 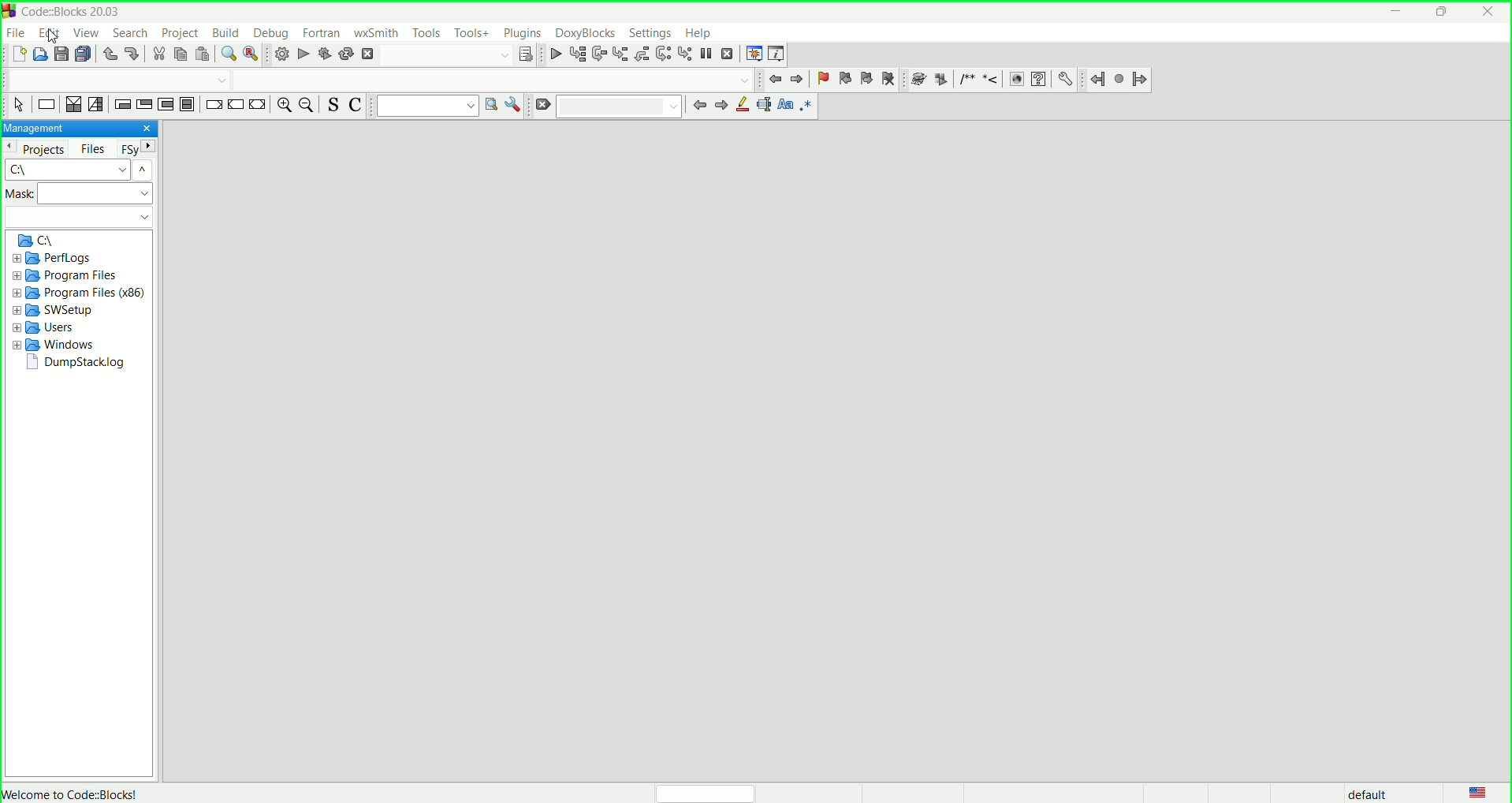 What do you see at coordinates (743, 106) in the screenshot?
I see `highlight` at bounding box center [743, 106].